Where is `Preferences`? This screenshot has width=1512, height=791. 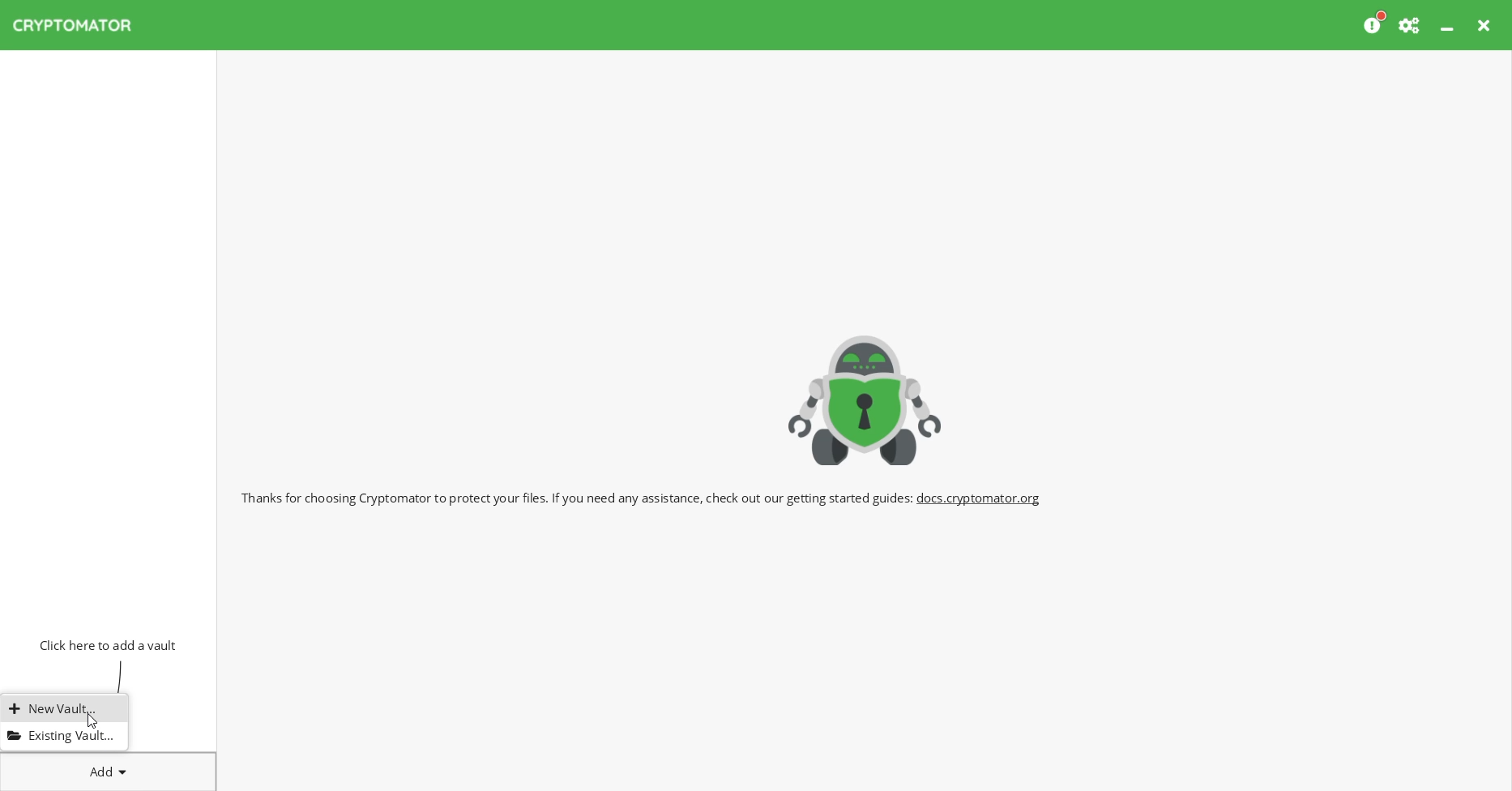
Preferences is located at coordinates (1411, 25).